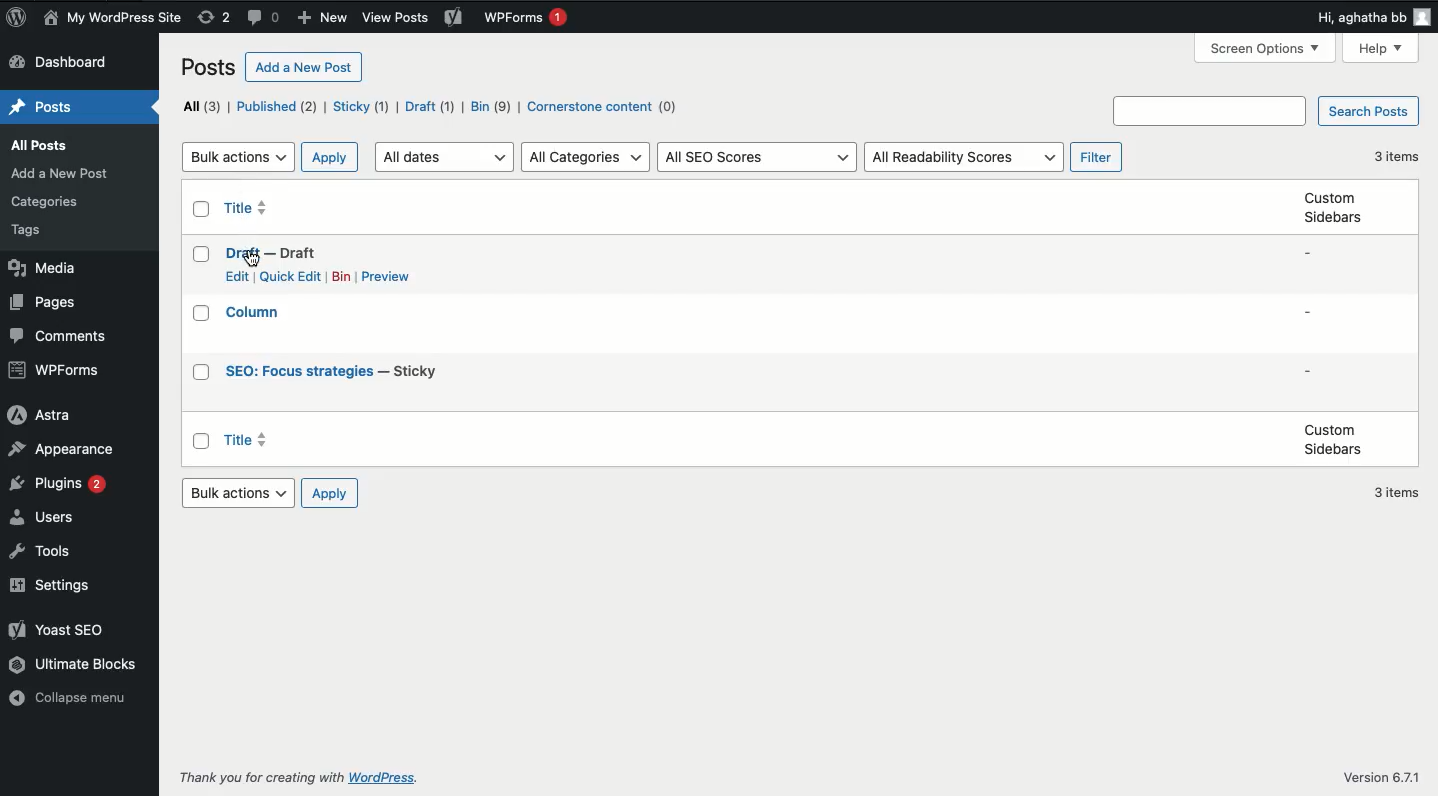 The image size is (1438, 796). What do you see at coordinates (1380, 48) in the screenshot?
I see `Help` at bounding box center [1380, 48].